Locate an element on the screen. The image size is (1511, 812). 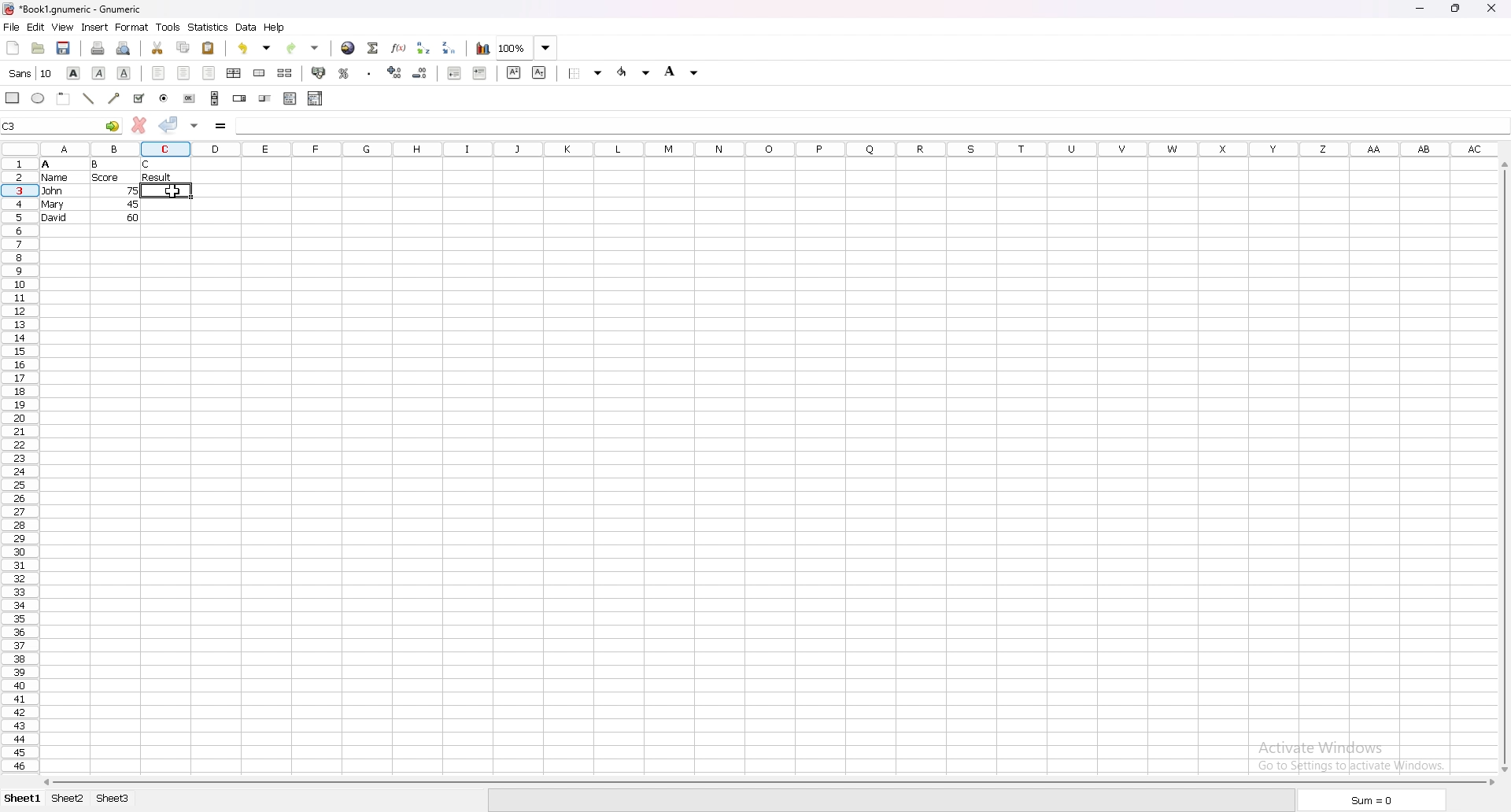
subscript is located at coordinates (540, 72).